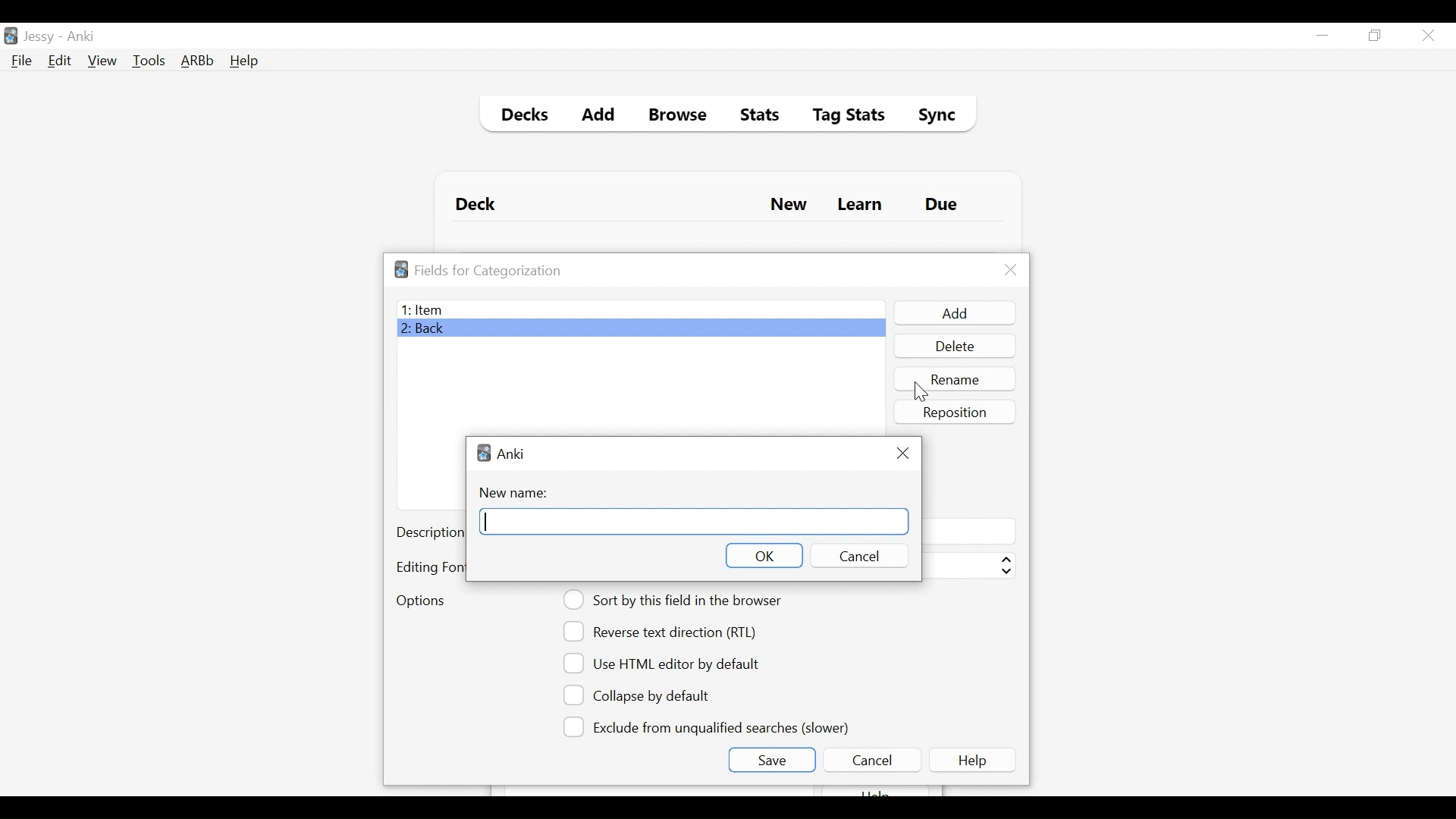 The image size is (1456, 819). Describe the element at coordinates (956, 378) in the screenshot. I see `Rename` at that location.